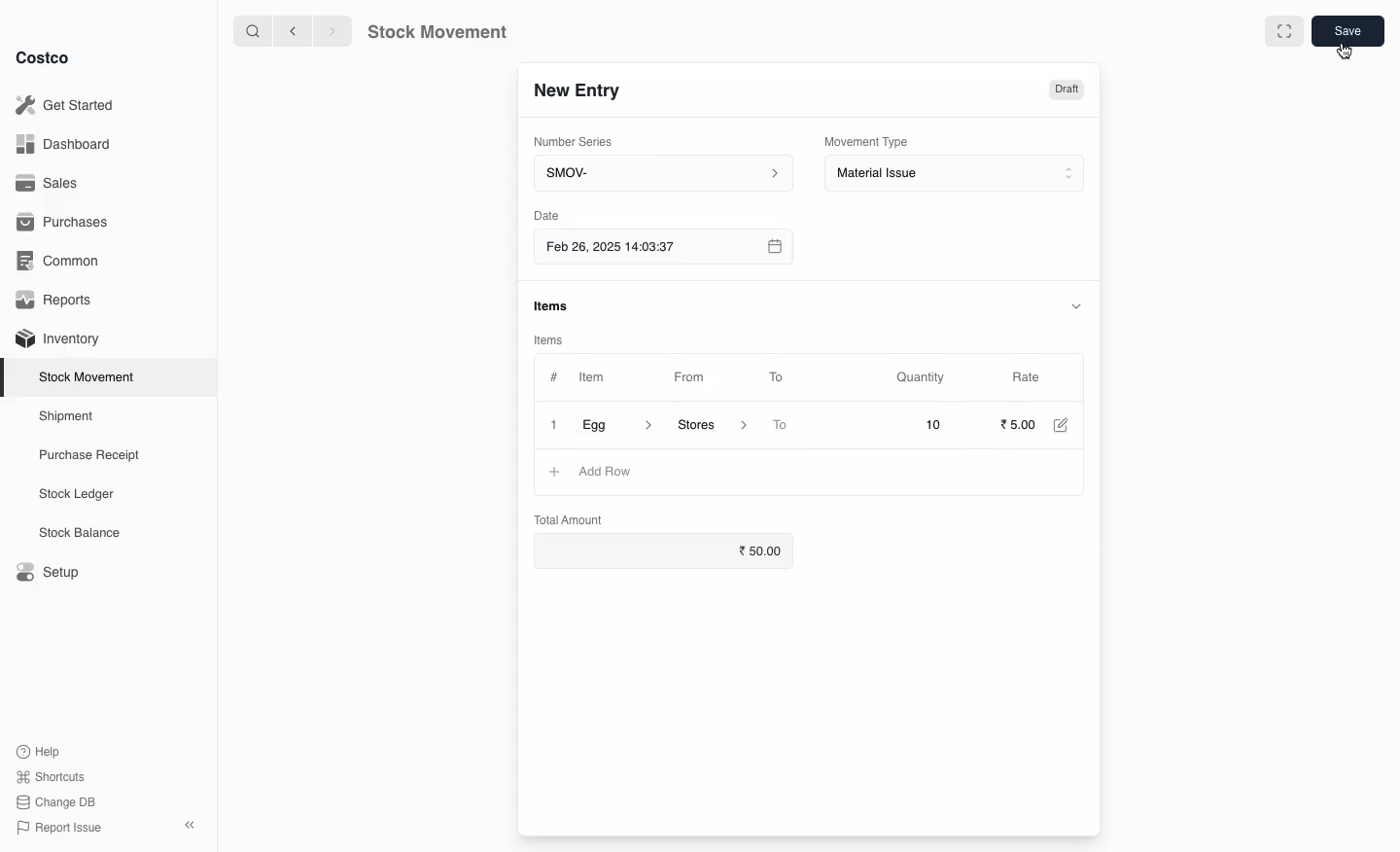  Describe the element at coordinates (189, 824) in the screenshot. I see `collapse` at that location.